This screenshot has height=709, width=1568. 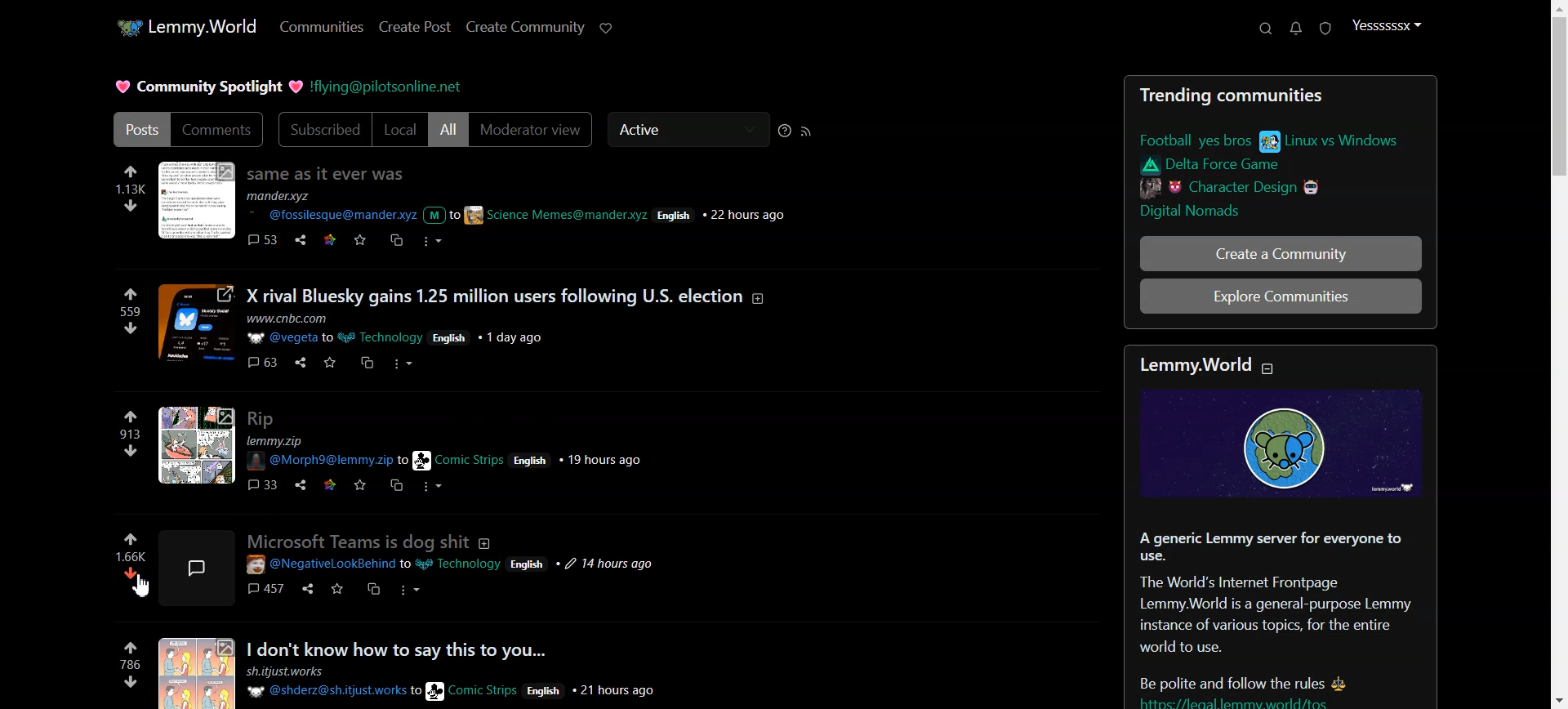 What do you see at coordinates (337, 589) in the screenshot?
I see `Save` at bounding box center [337, 589].